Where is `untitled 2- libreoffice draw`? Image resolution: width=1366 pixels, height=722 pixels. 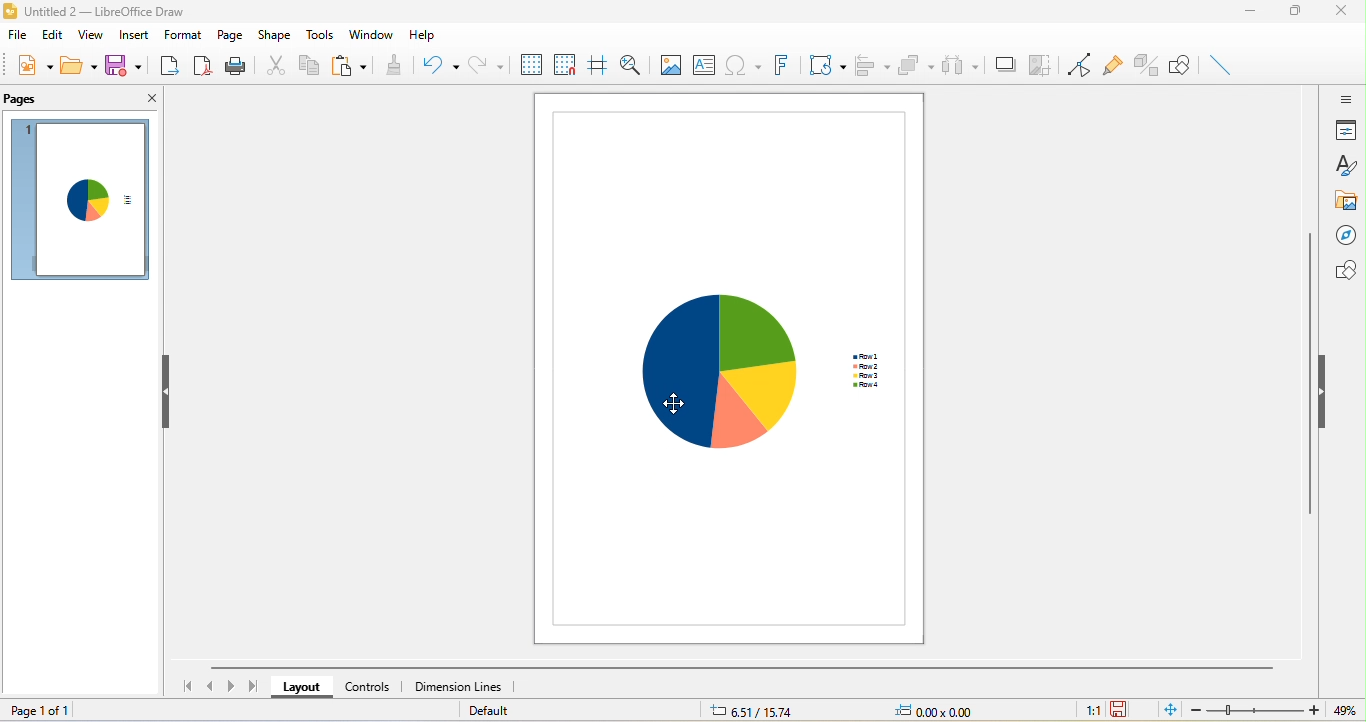 untitled 2- libreoffice draw is located at coordinates (116, 13).